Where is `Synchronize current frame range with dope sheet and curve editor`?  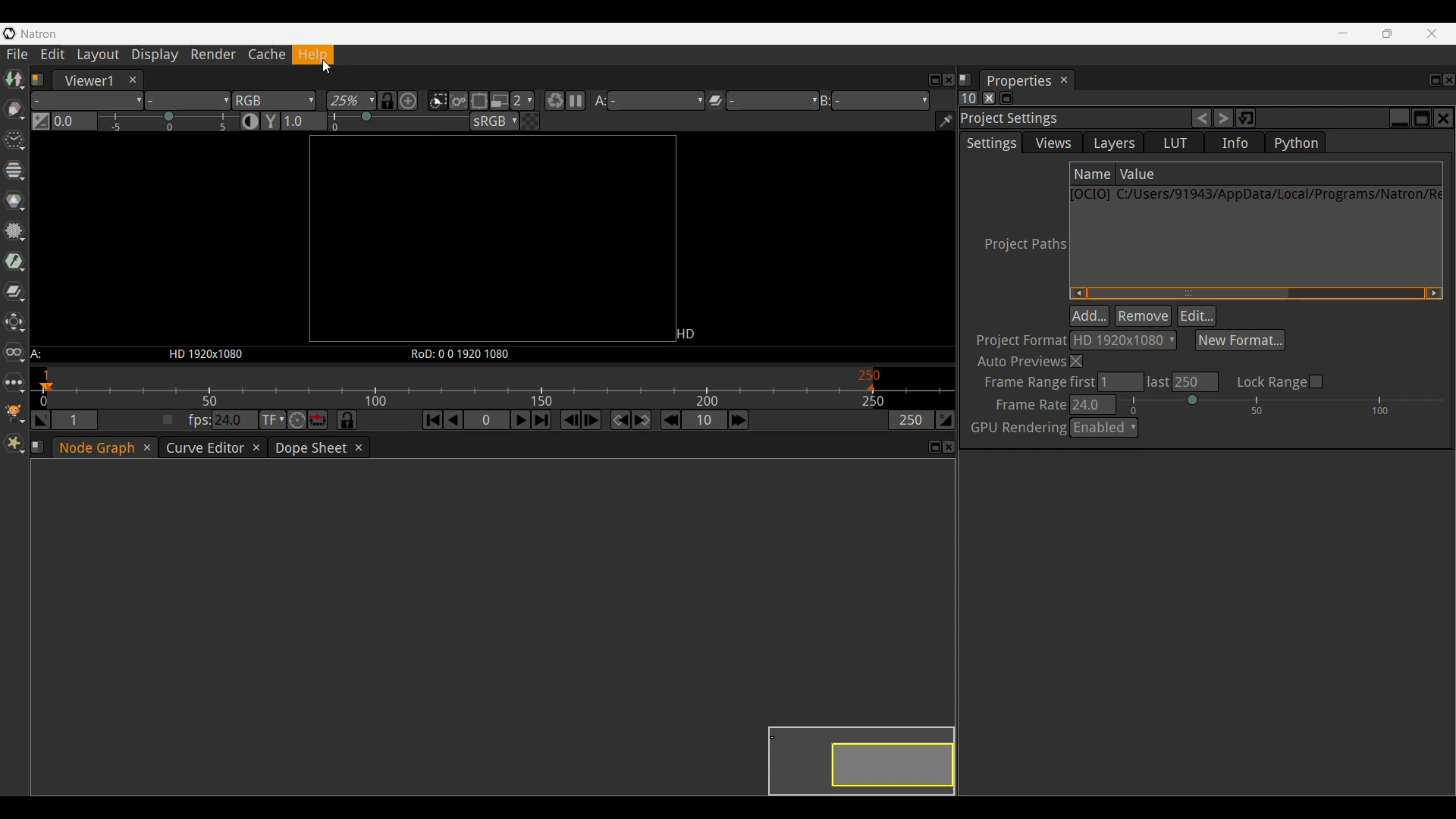
Synchronize current frame range with dope sheet and curve editor is located at coordinates (347, 419).